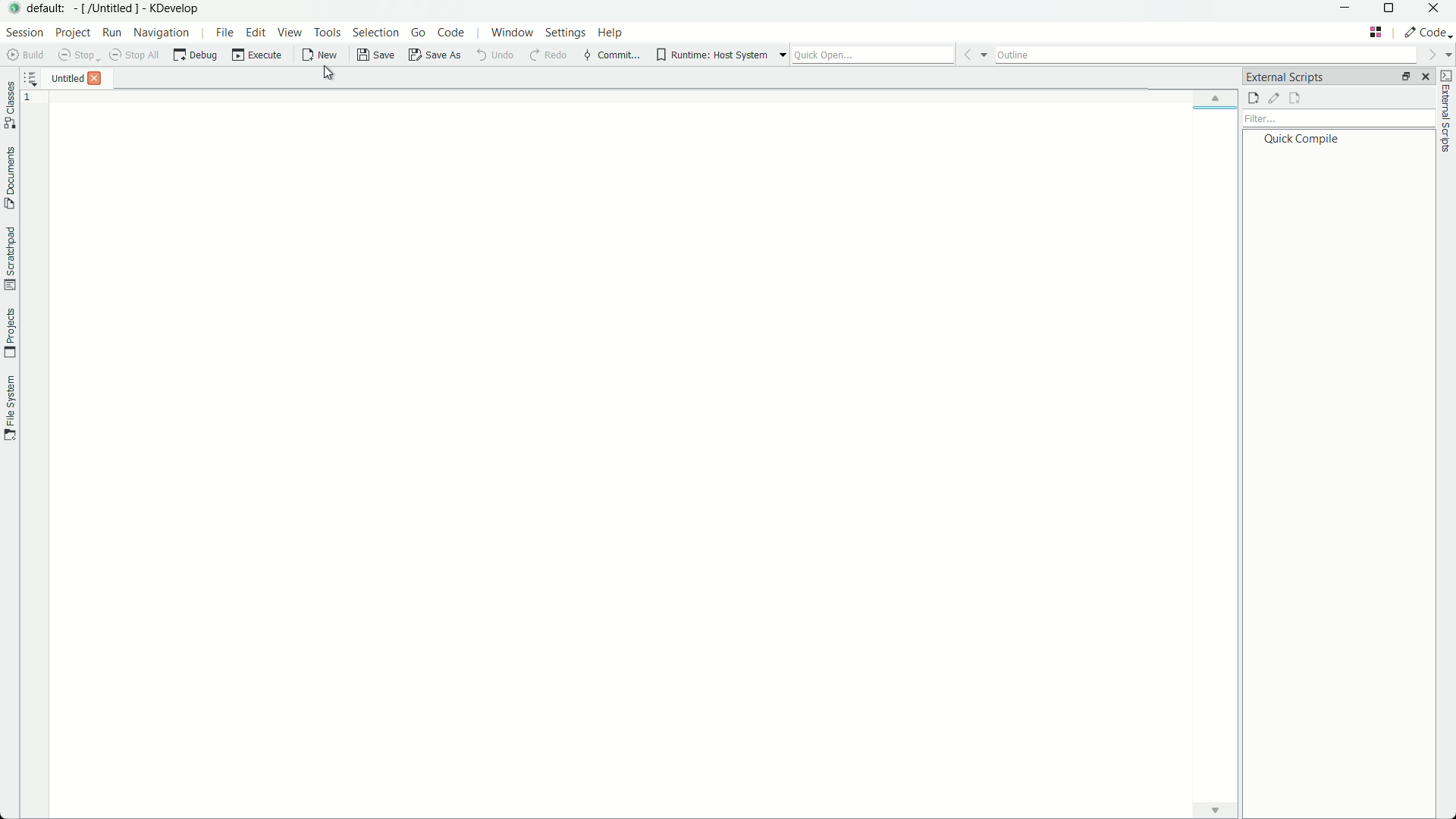  I want to click on execute actions to change the area, so click(1428, 35).